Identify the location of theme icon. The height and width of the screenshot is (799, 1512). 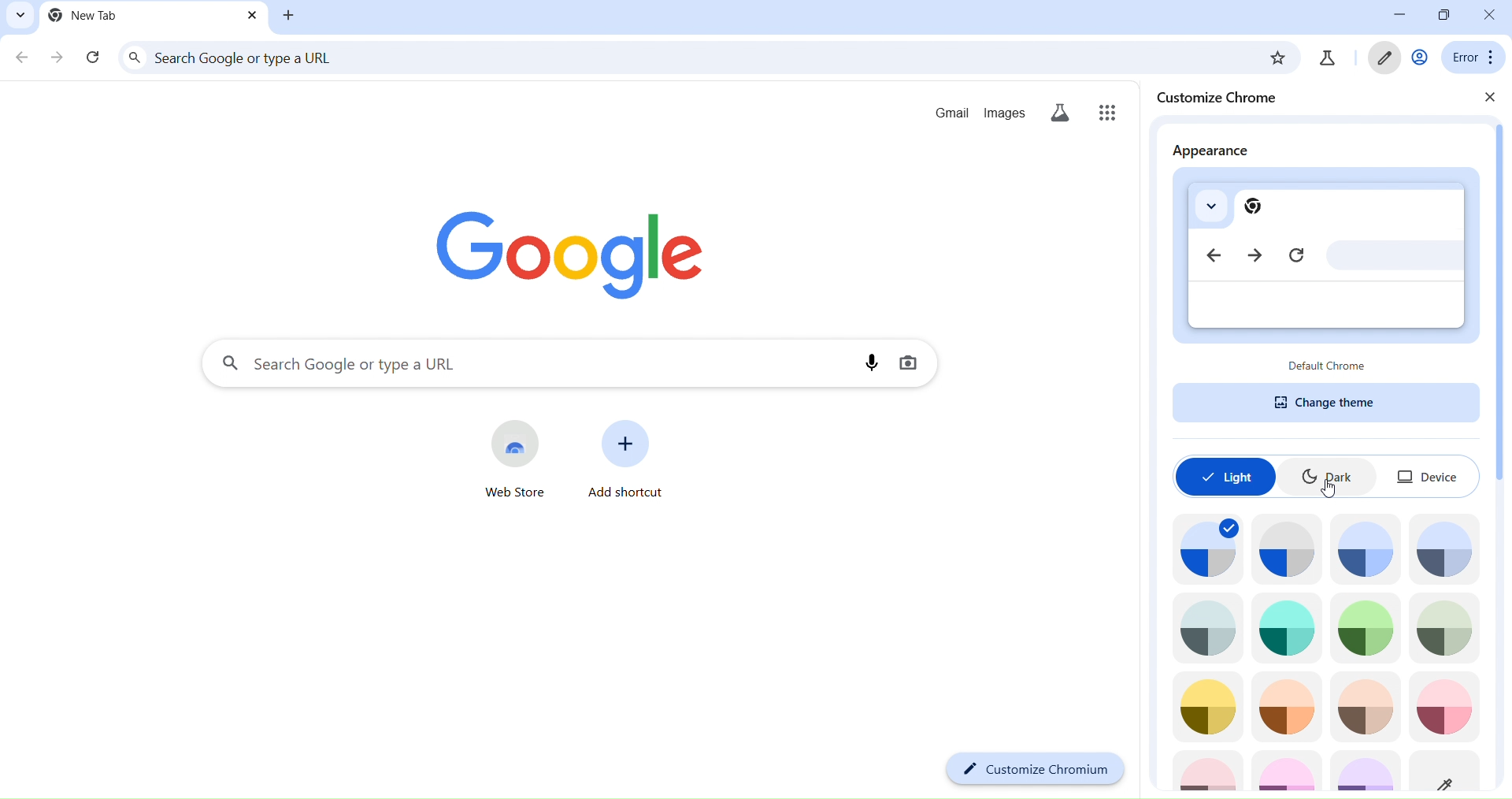
(1209, 551).